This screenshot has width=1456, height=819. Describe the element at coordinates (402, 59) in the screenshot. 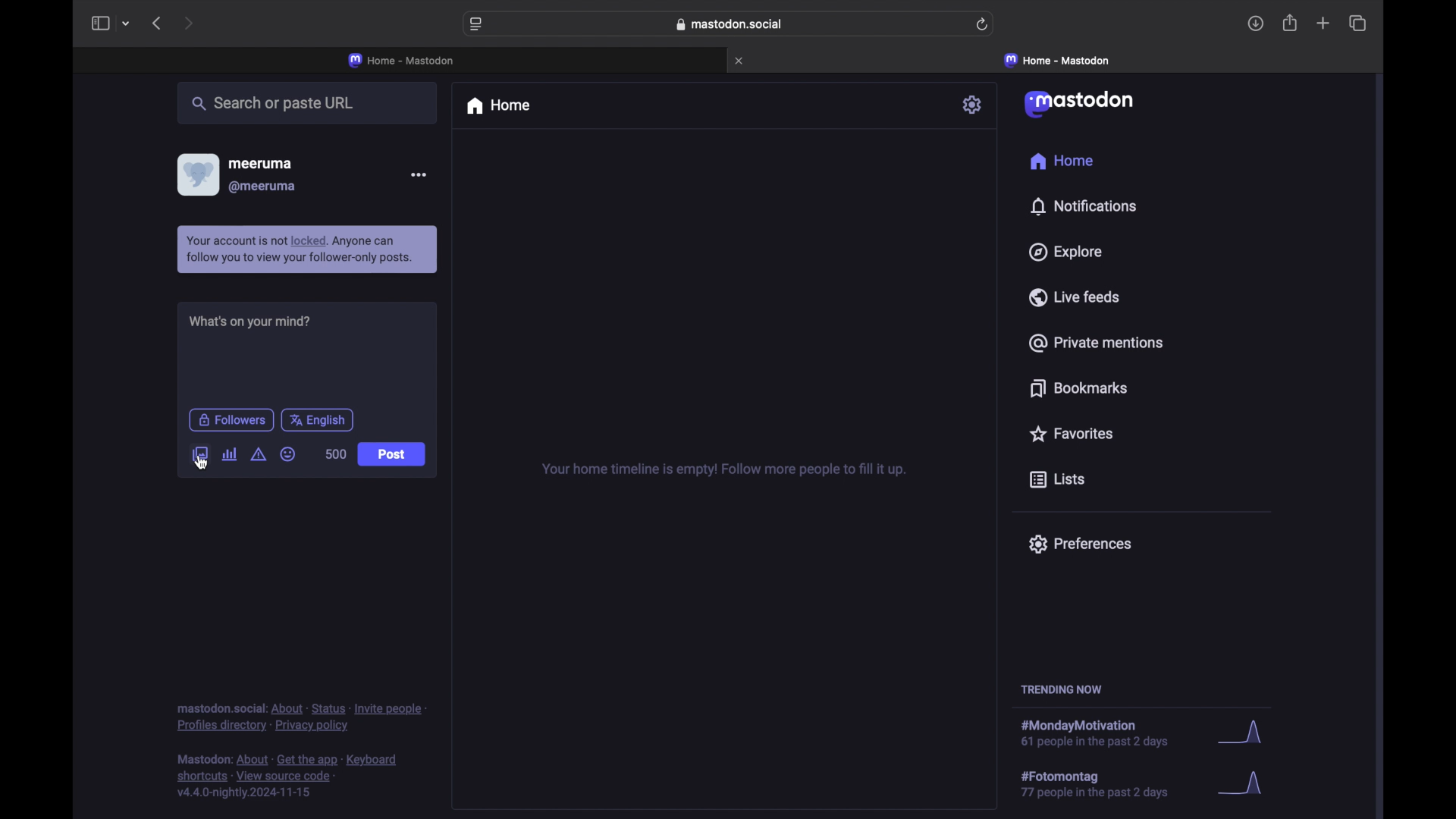

I see `home - mastodon` at that location.